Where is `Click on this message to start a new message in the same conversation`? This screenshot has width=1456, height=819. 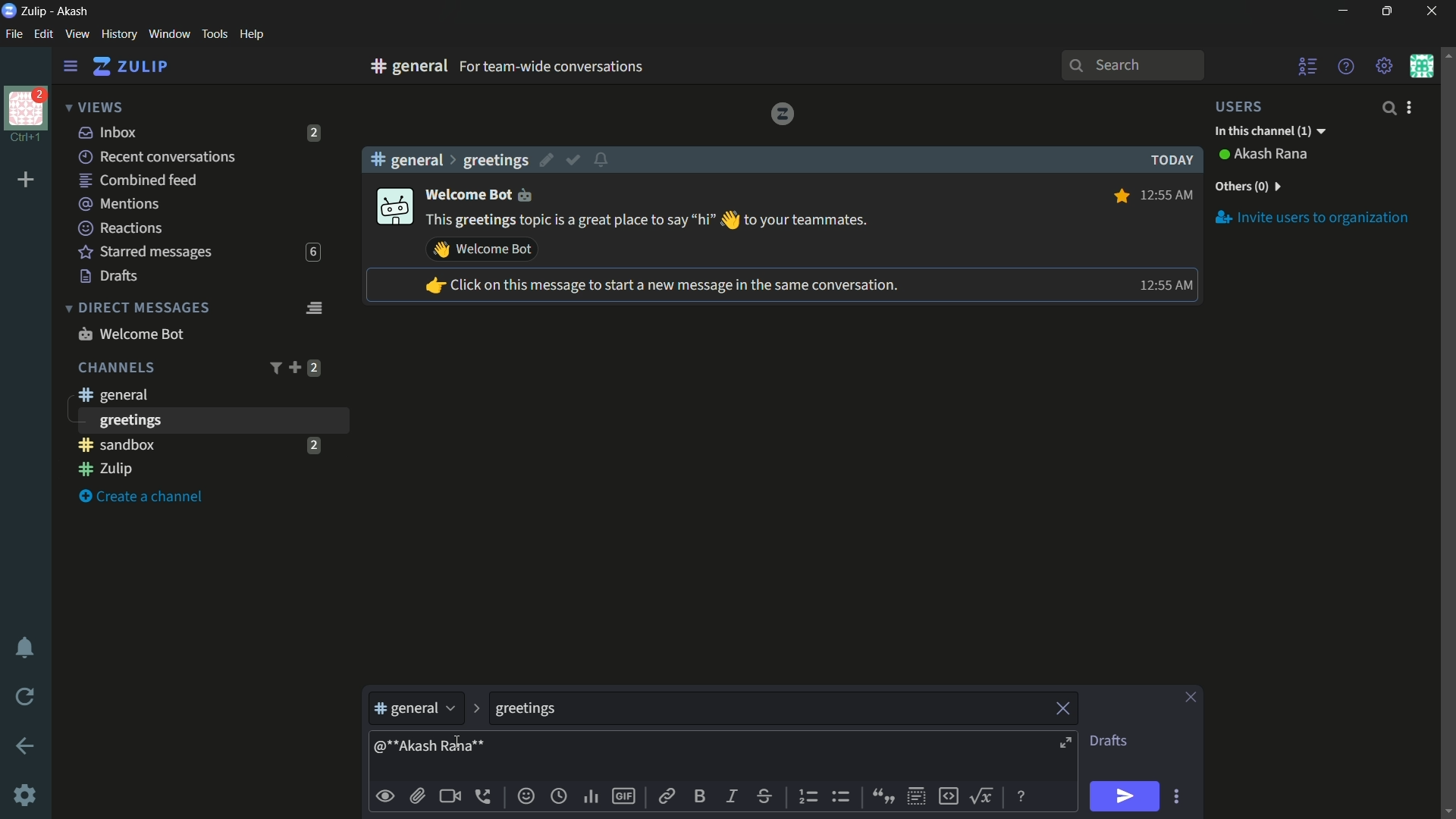 Click on this message to start a new message in the same conversation is located at coordinates (661, 287).